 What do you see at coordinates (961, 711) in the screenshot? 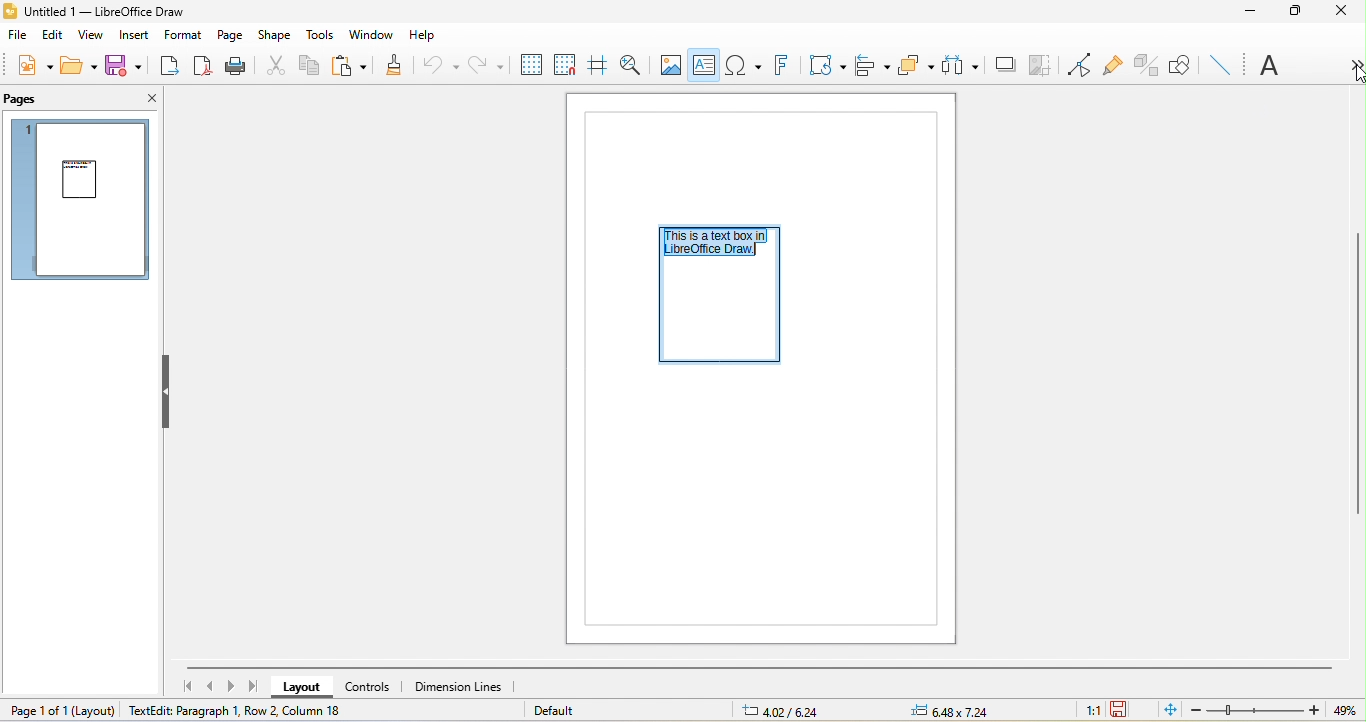
I see `0.00x0.00` at bounding box center [961, 711].